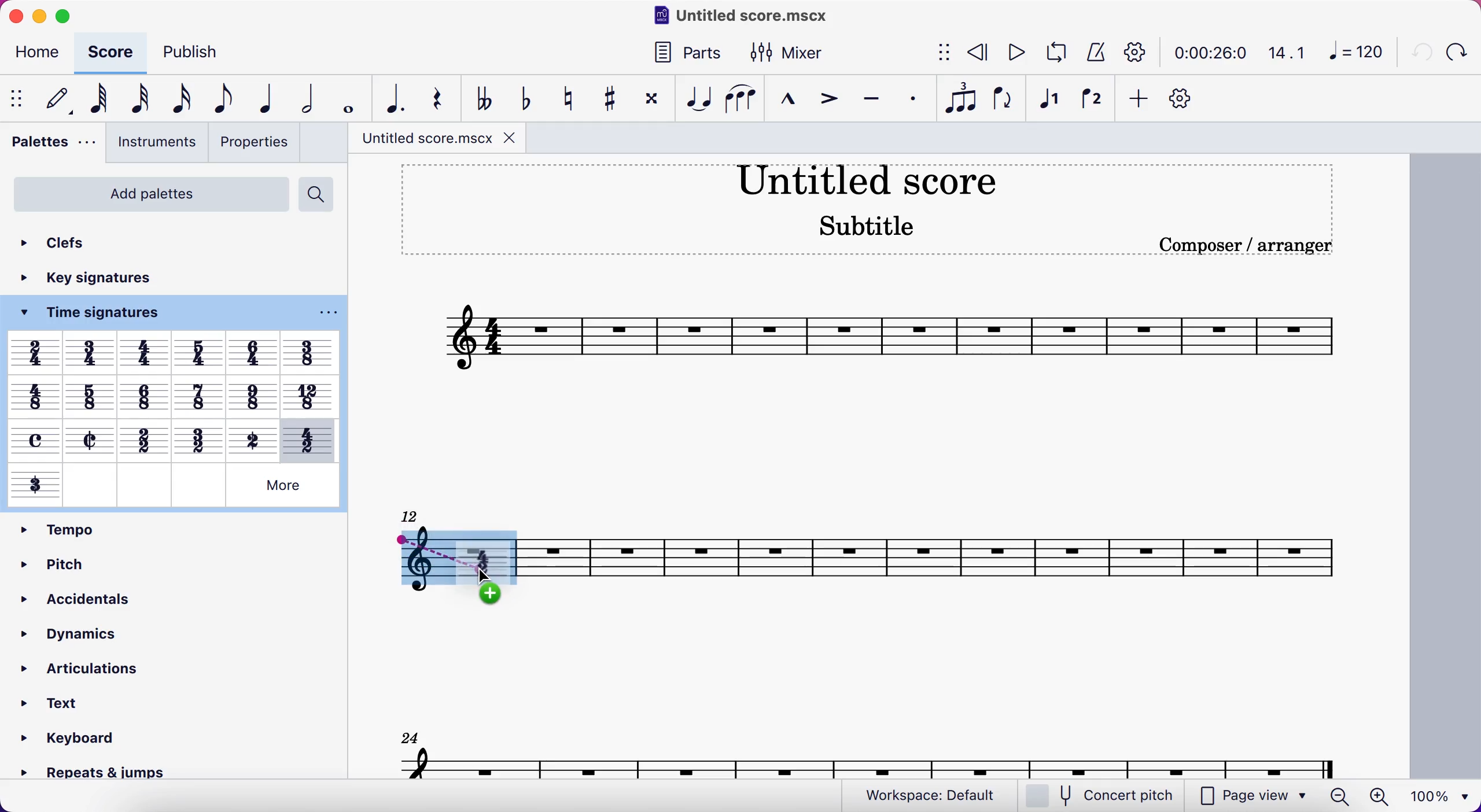 This screenshot has width=1481, height=812. What do you see at coordinates (19, 97) in the screenshot?
I see `show/hide` at bounding box center [19, 97].